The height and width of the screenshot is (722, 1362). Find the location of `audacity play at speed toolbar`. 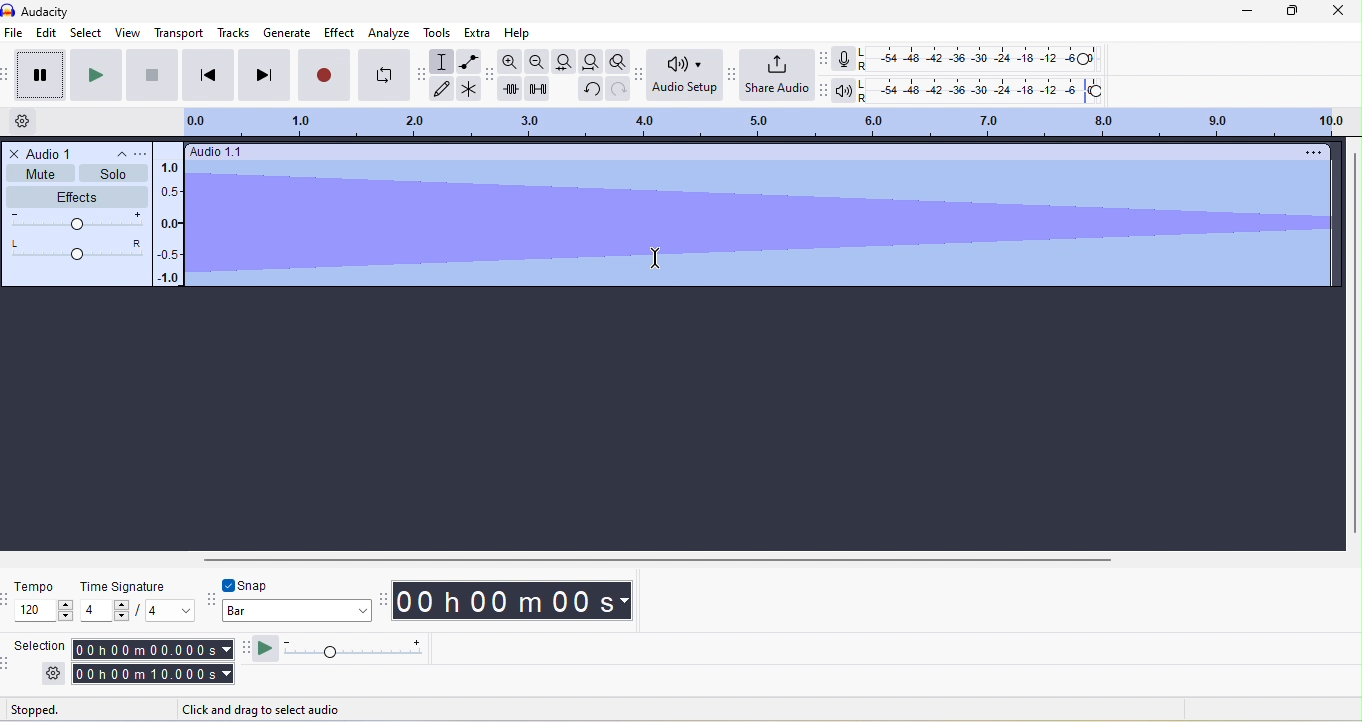

audacity play at speed toolbar is located at coordinates (243, 649).